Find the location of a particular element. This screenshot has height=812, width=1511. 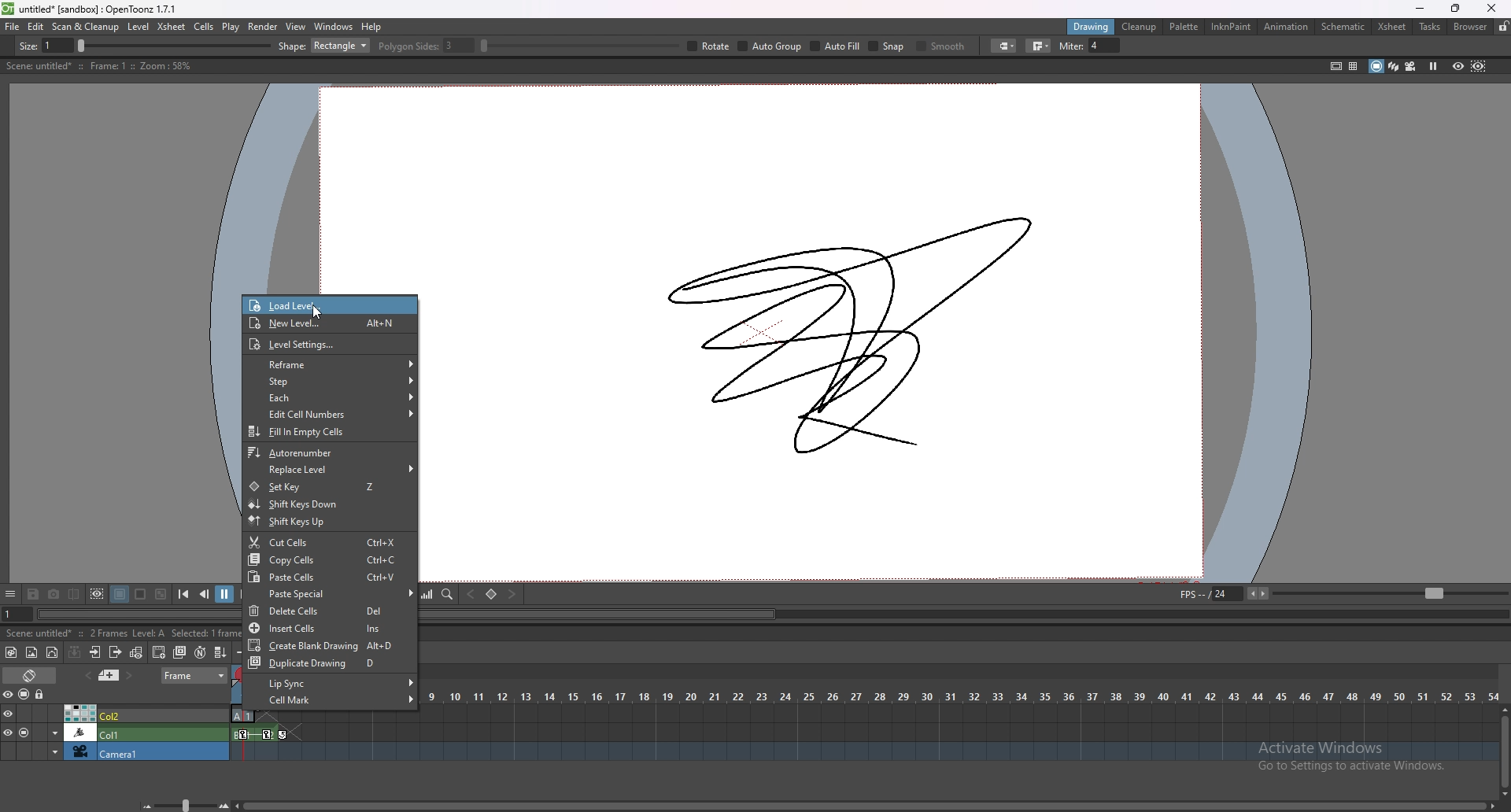

timeline is located at coordinates (866, 714).